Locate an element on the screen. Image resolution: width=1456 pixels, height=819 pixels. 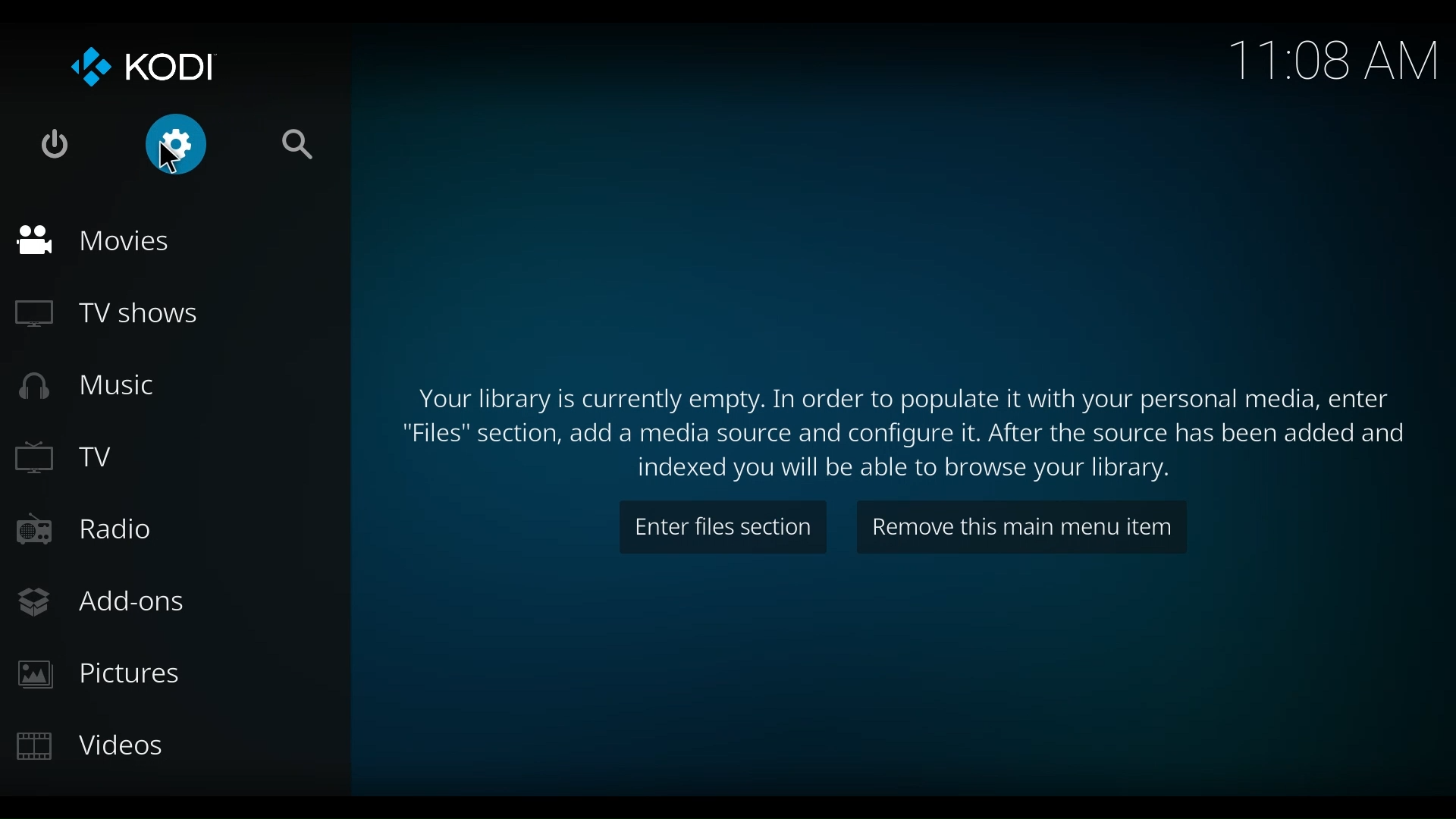
Radio is located at coordinates (87, 529).